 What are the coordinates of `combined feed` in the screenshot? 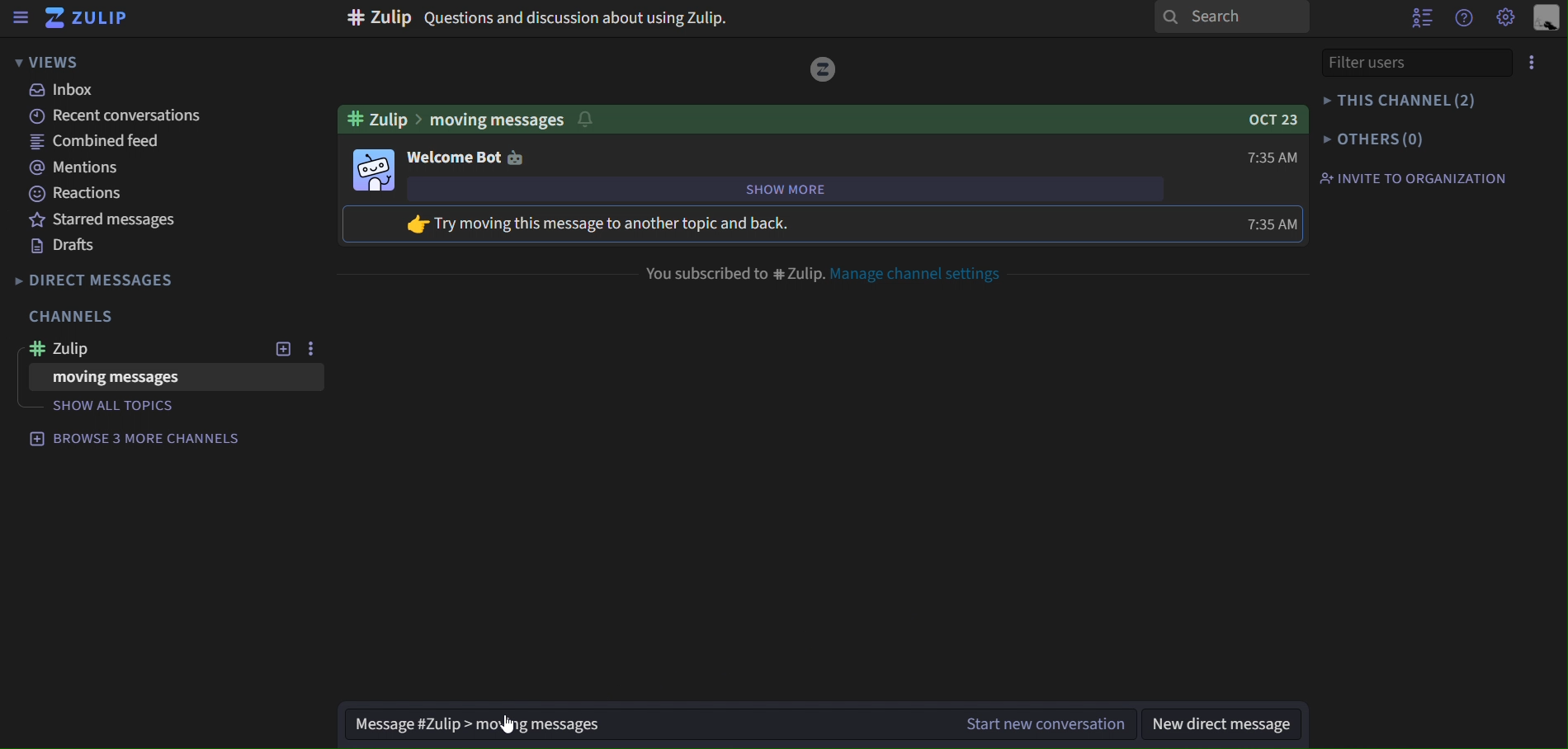 It's located at (95, 142).